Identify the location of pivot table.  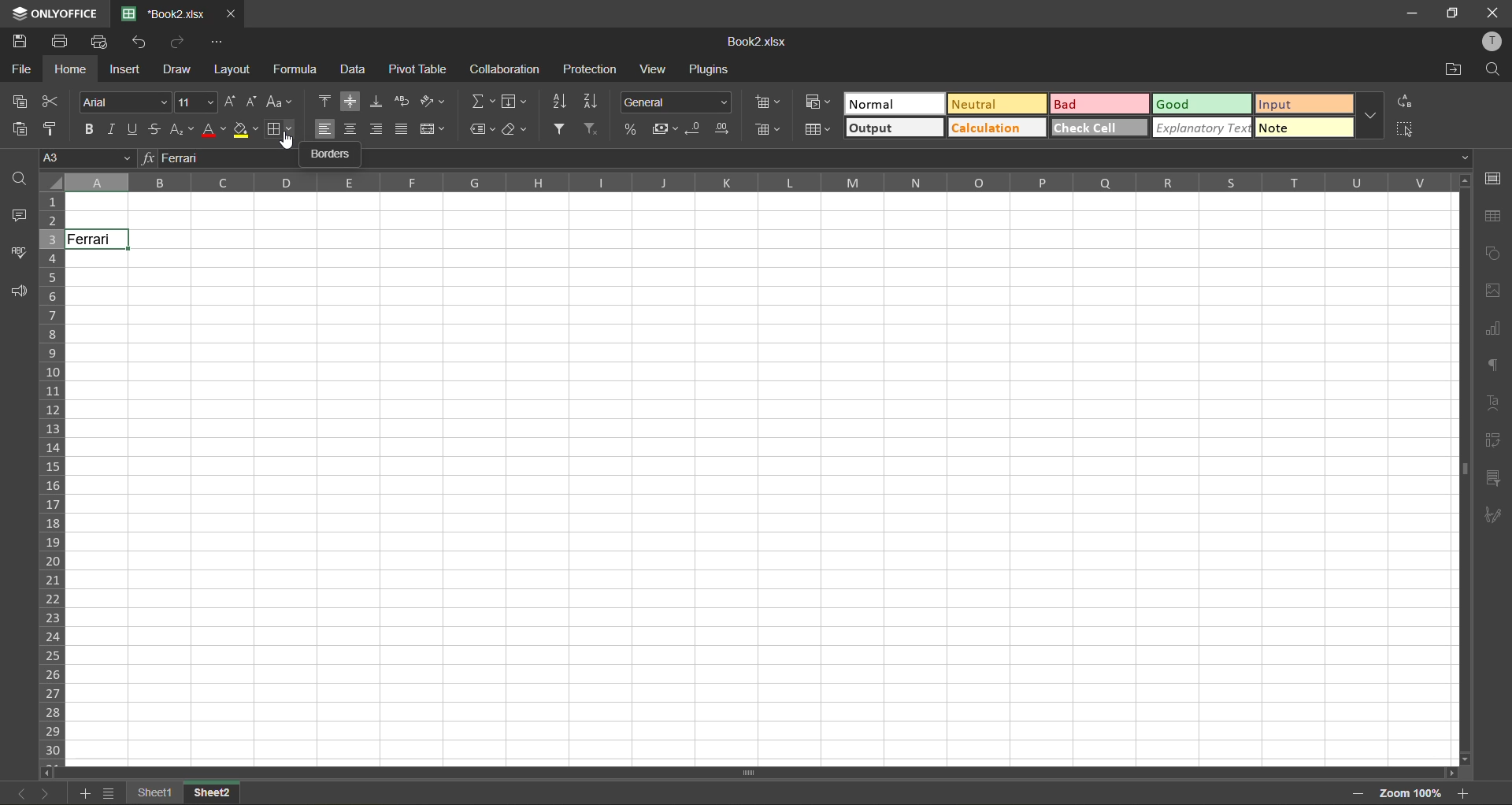
(418, 69).